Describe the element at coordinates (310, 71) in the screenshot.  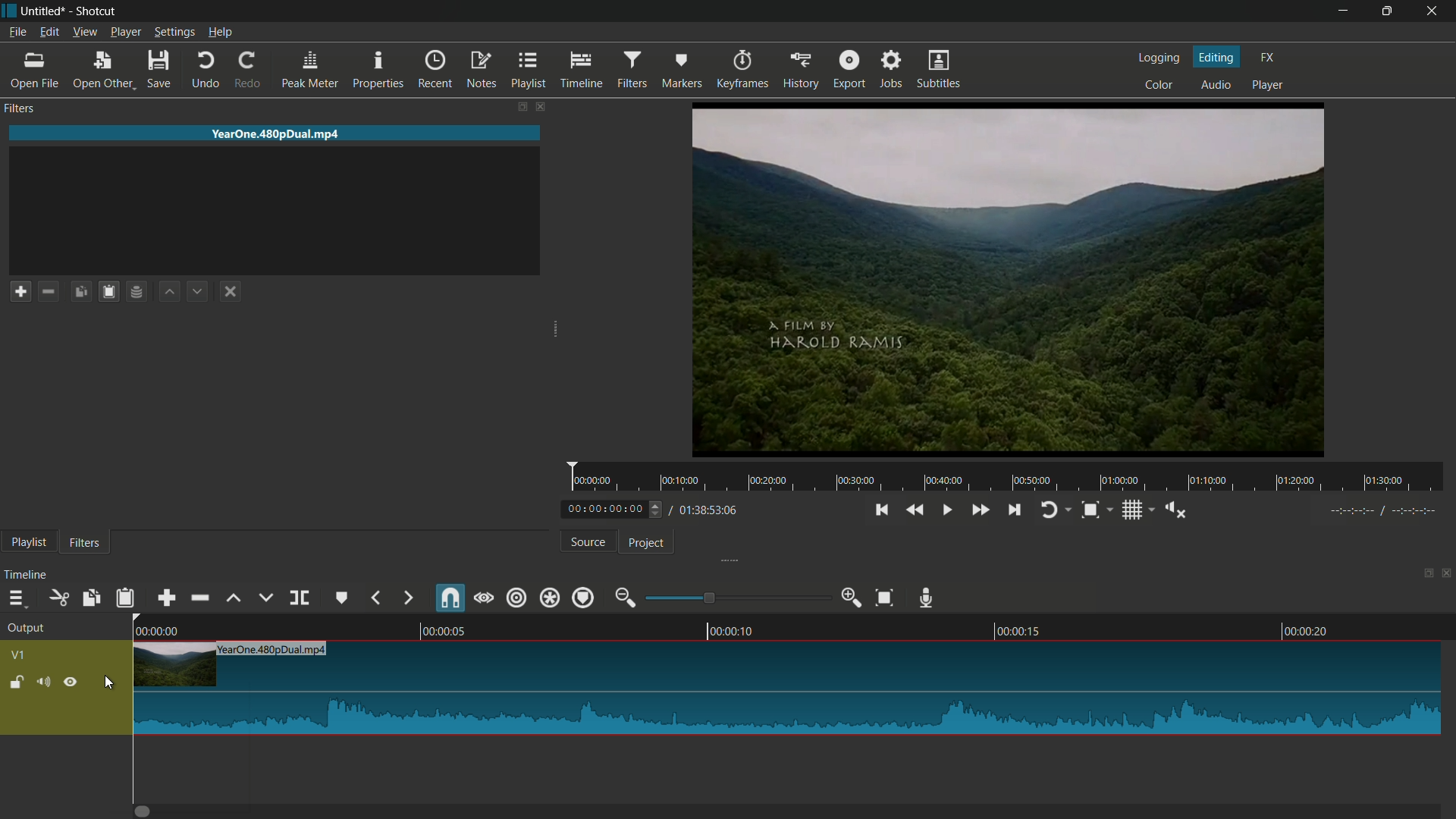
I see `peak meter` at that location.